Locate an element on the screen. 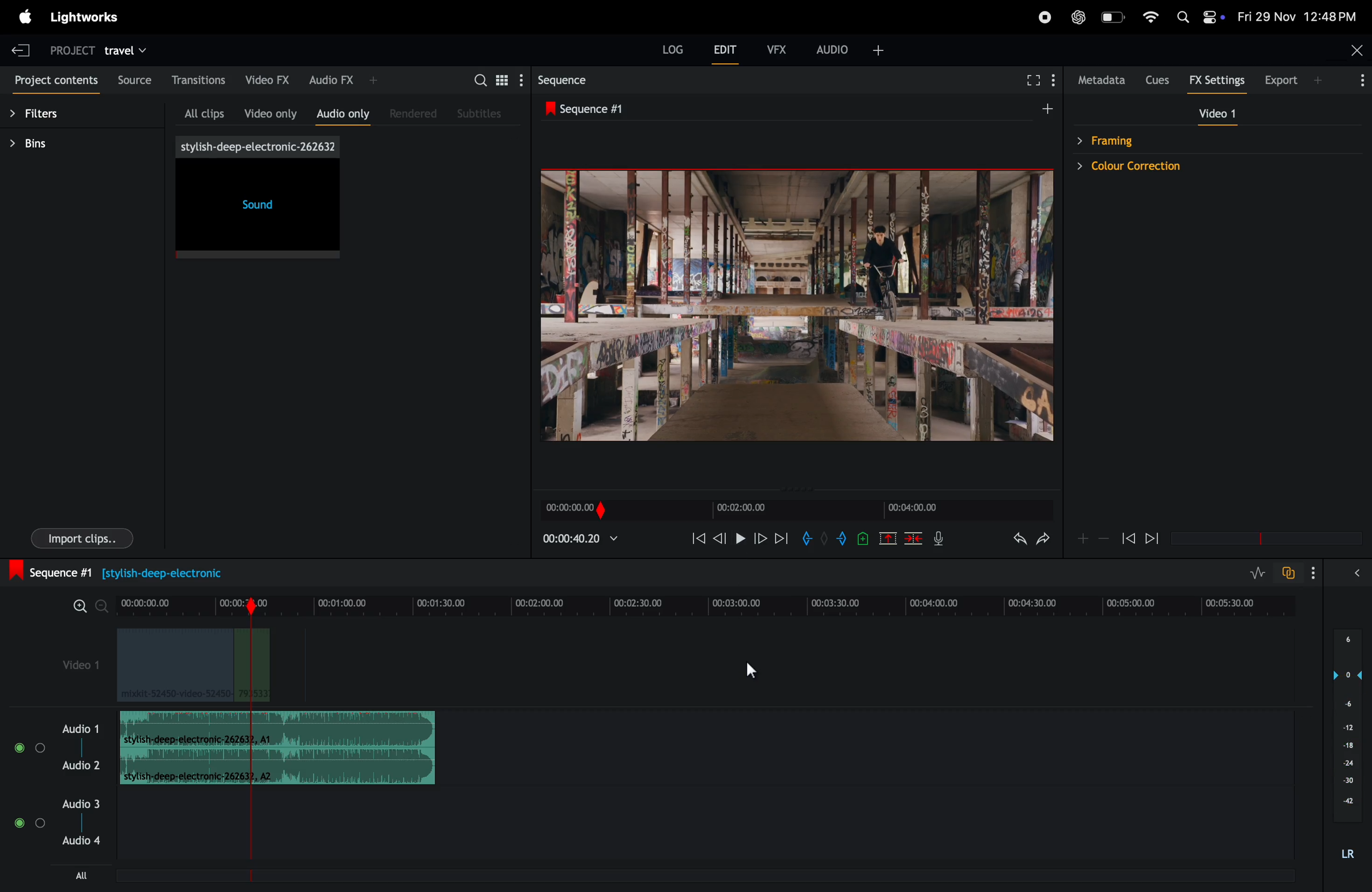  edit is located at coordinates (726, 52).